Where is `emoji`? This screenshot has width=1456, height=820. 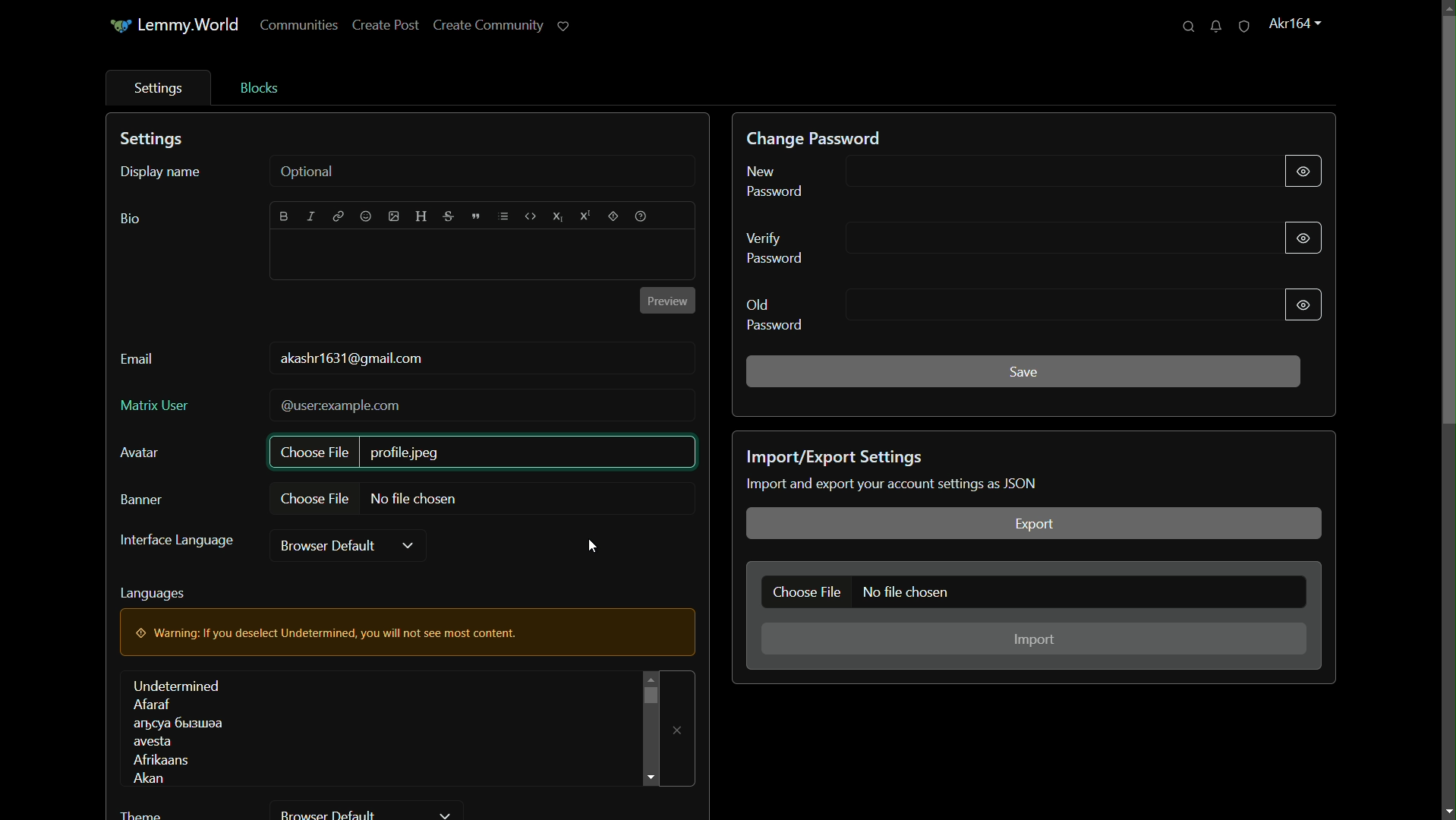
emoji is located at coordinates (364, 217).